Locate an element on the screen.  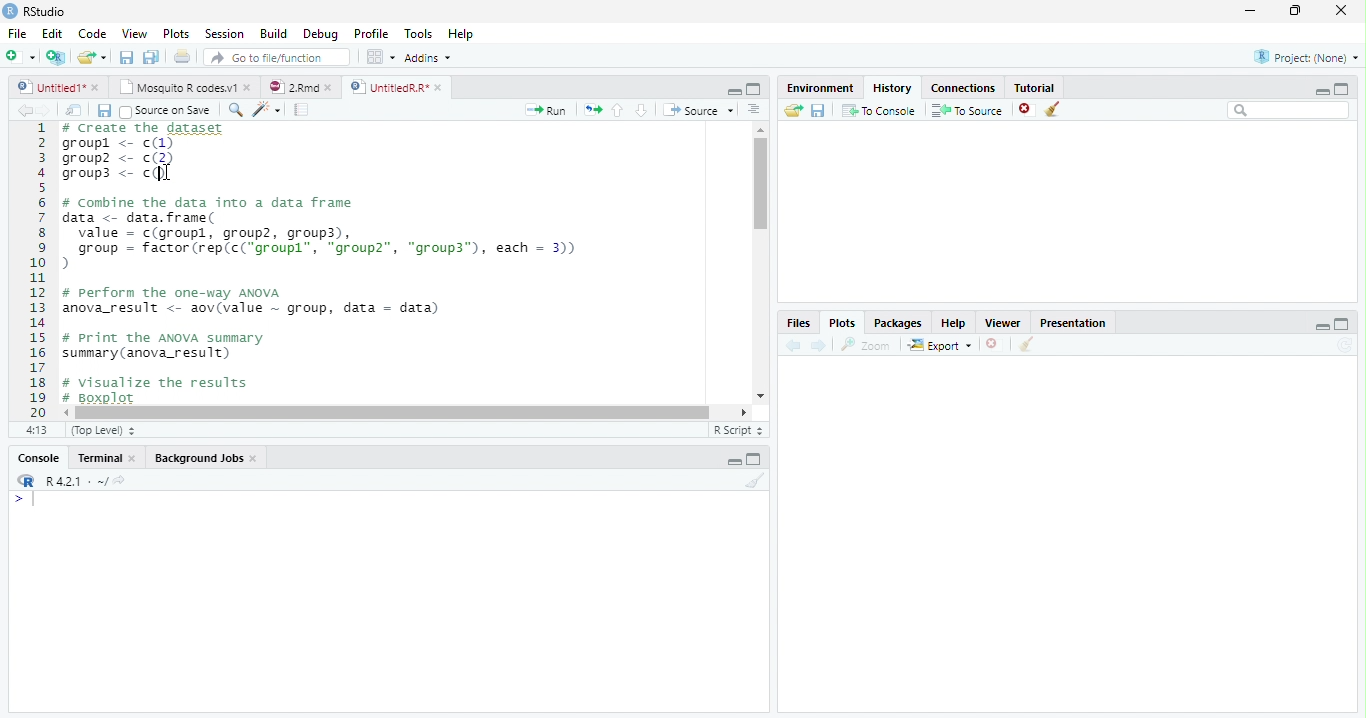
Delete file is located at coordinates (1028, 109).